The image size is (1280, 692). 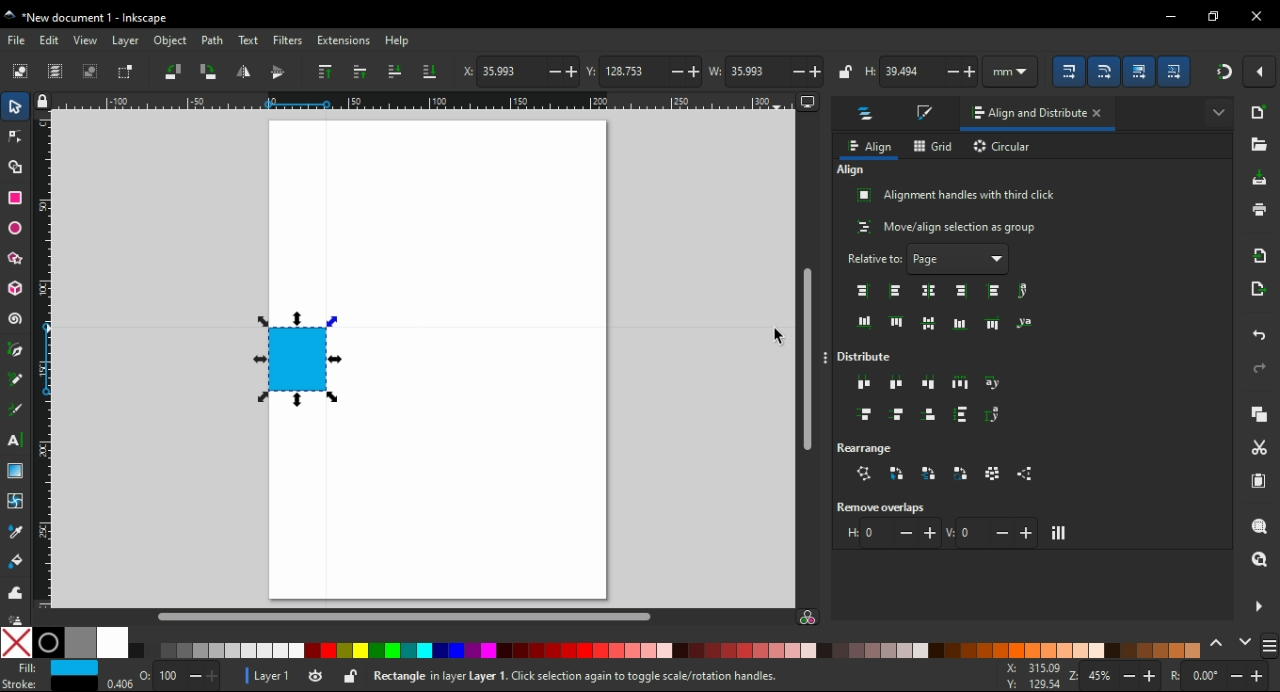 What do you see at coordinates (900, 473) in the screenshot?
I see `exchange positions of selected objects - selection order` at bounding box center [900, 473].